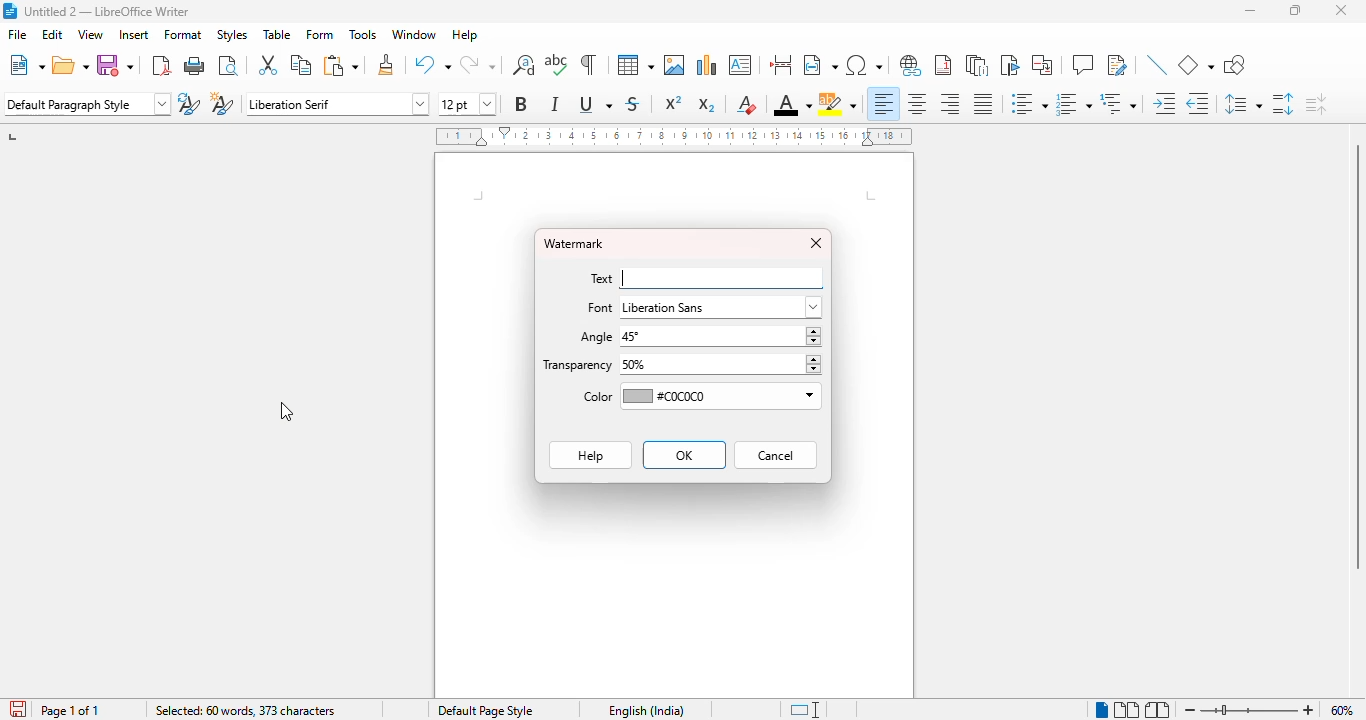 The image size is (1366, 720). I want to click on cancel, so click(776, 455).